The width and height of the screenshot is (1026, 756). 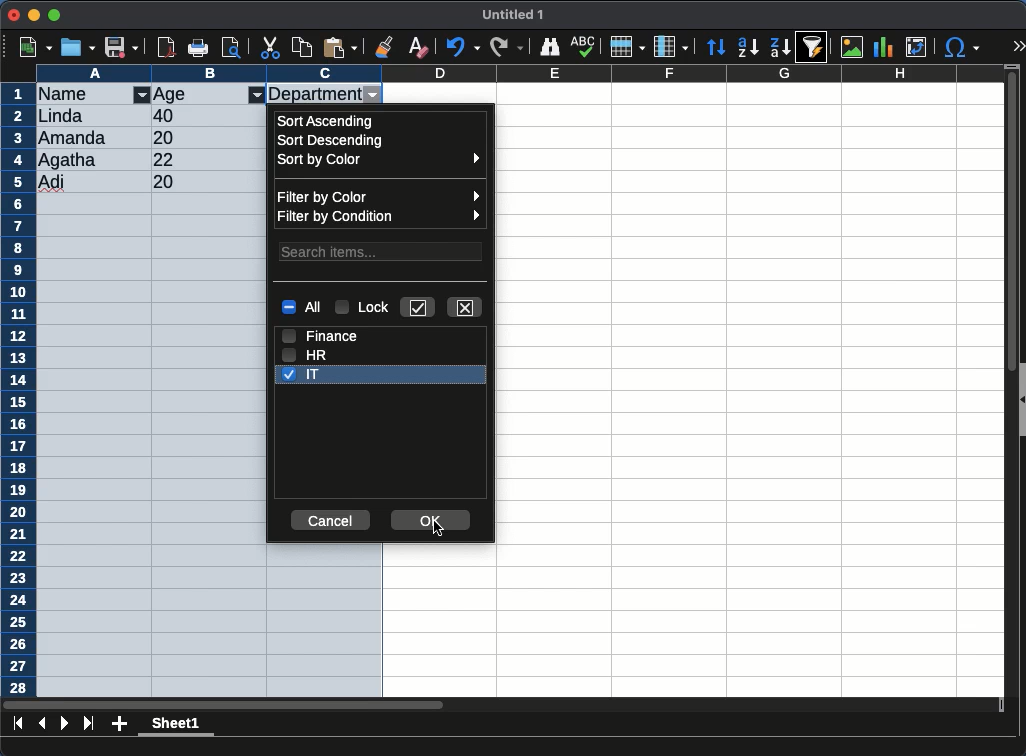 What do you see at coordinates (78, 47) in the screenshot?
I see `open` at bounding box center [78, 47].